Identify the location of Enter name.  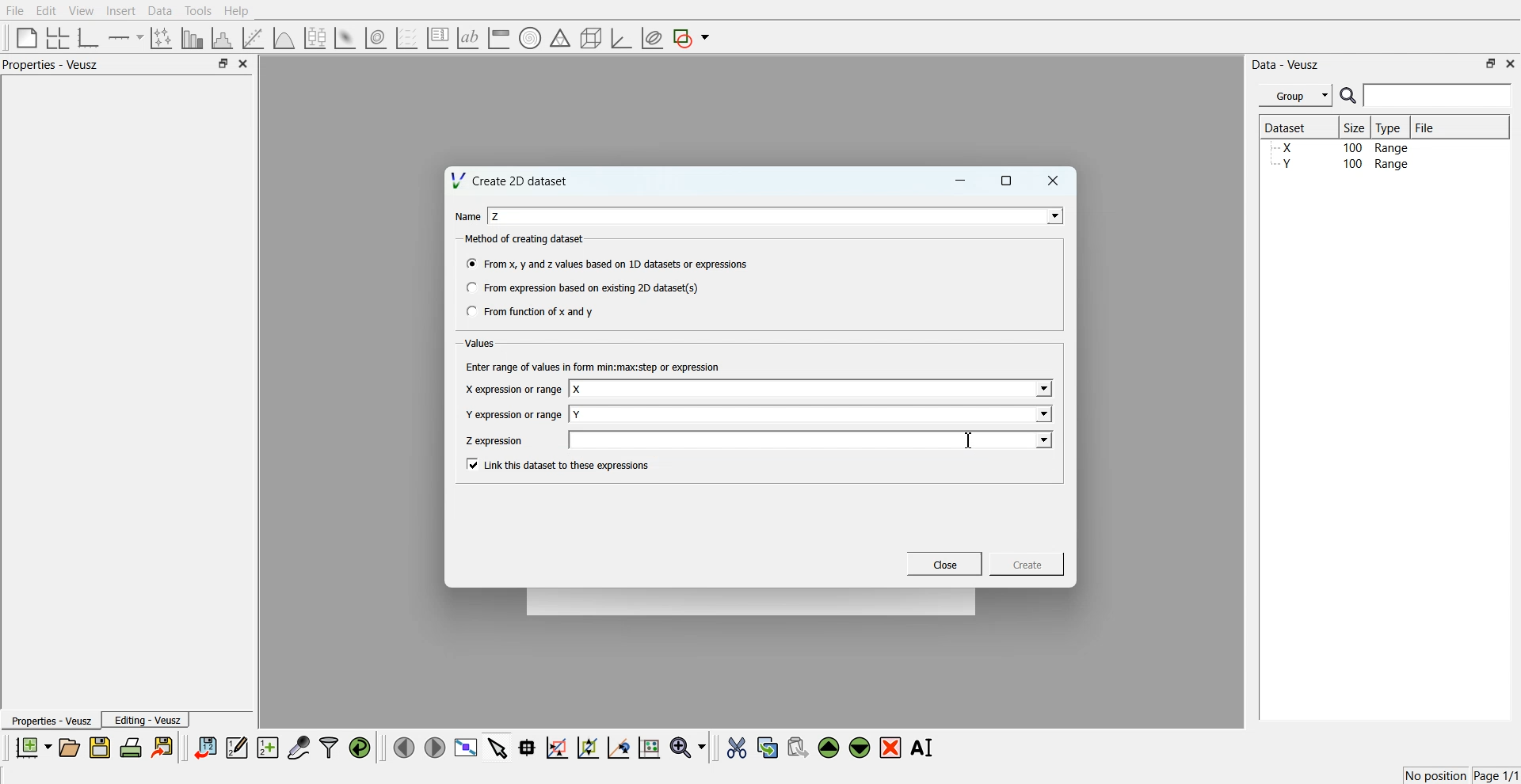
(813, 413).